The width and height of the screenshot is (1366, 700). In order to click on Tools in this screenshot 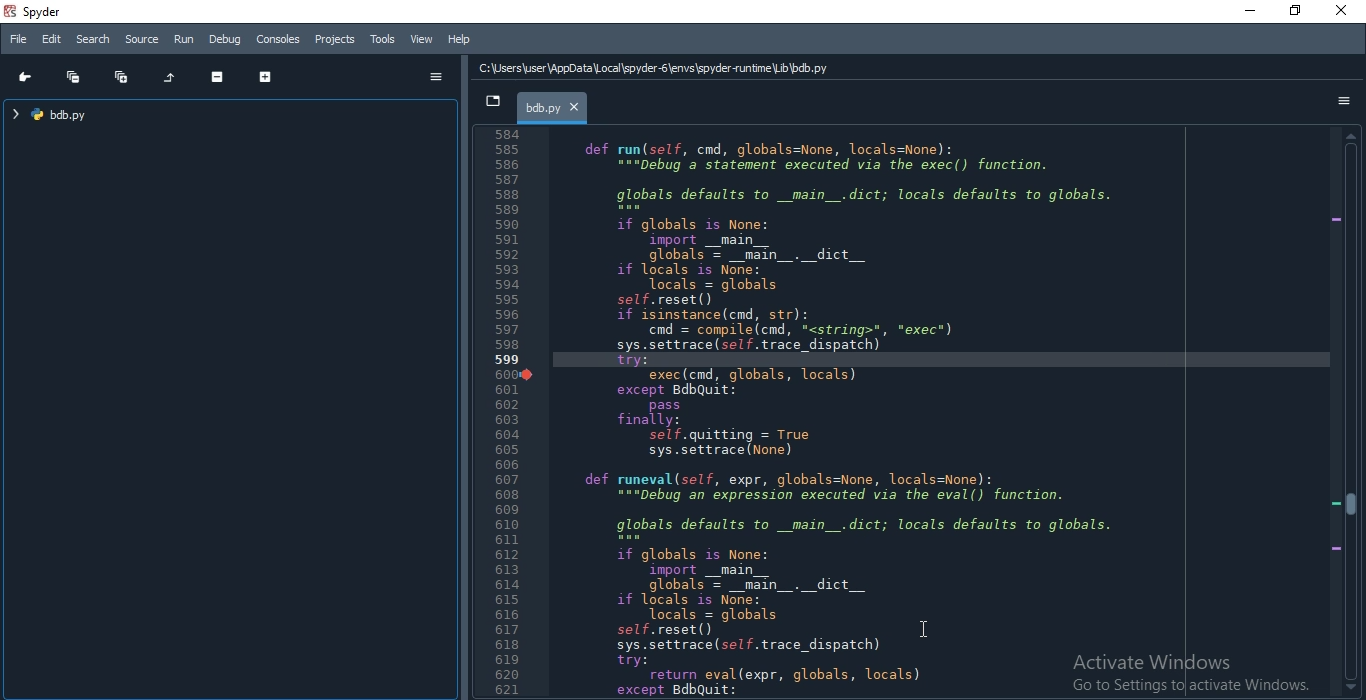, I will do `click(383, 39)`.